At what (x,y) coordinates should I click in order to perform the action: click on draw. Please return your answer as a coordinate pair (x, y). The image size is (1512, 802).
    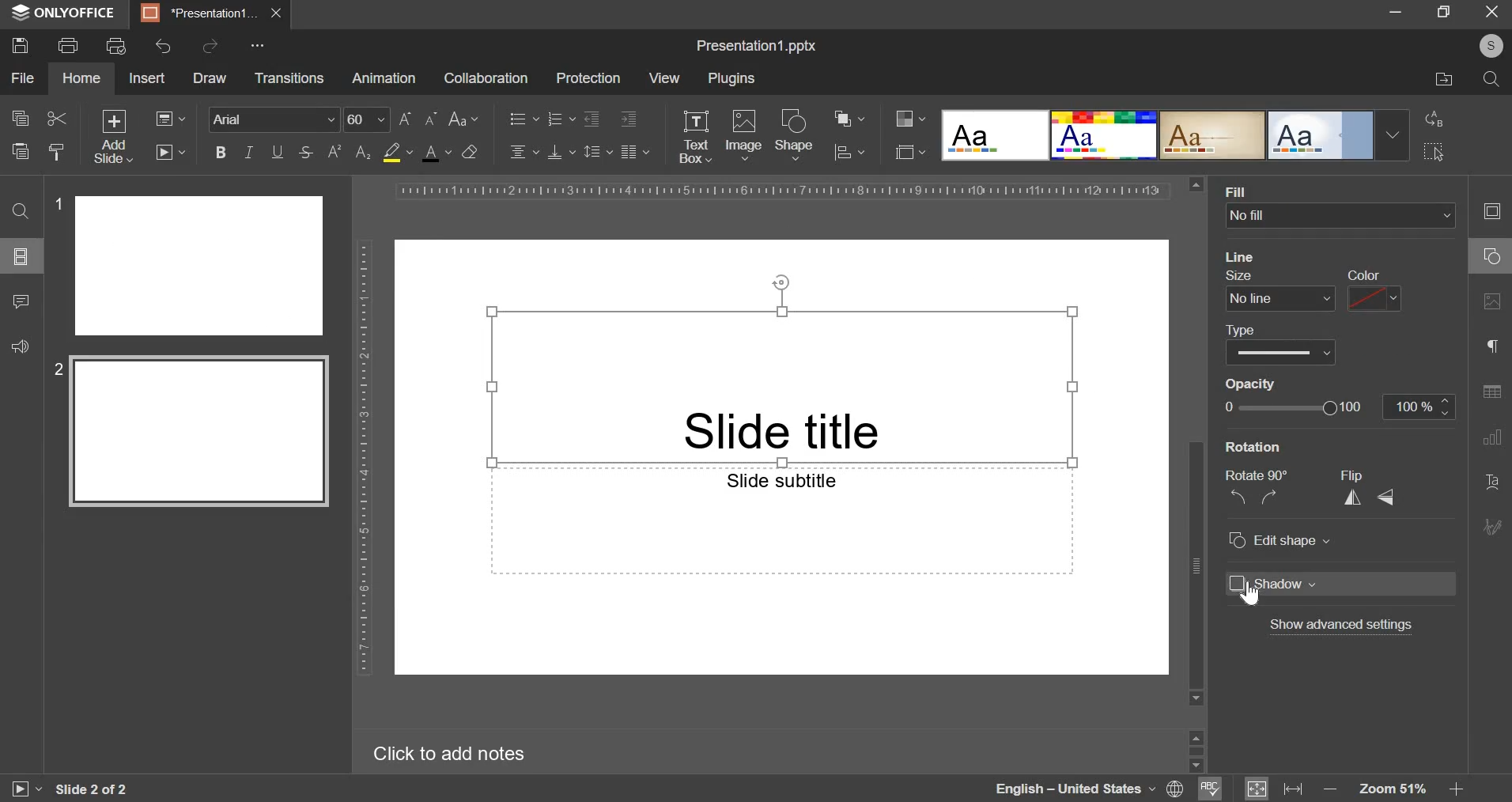
    Looking at the image, I should click on (209, 78).